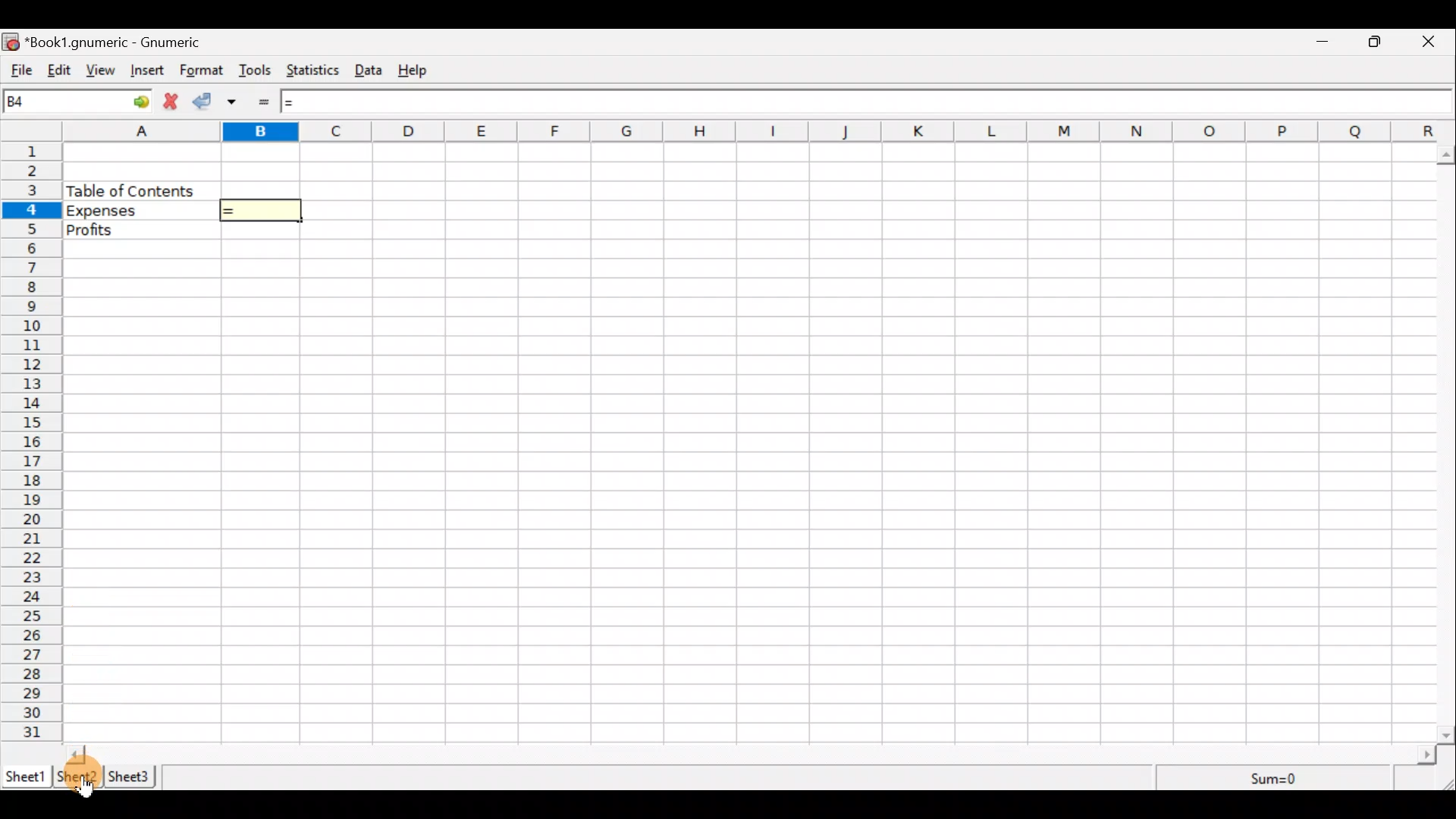  Describe the element at coordinates (237, 102) in the screenshot. I see `Accept change in multiple cells` at that location.